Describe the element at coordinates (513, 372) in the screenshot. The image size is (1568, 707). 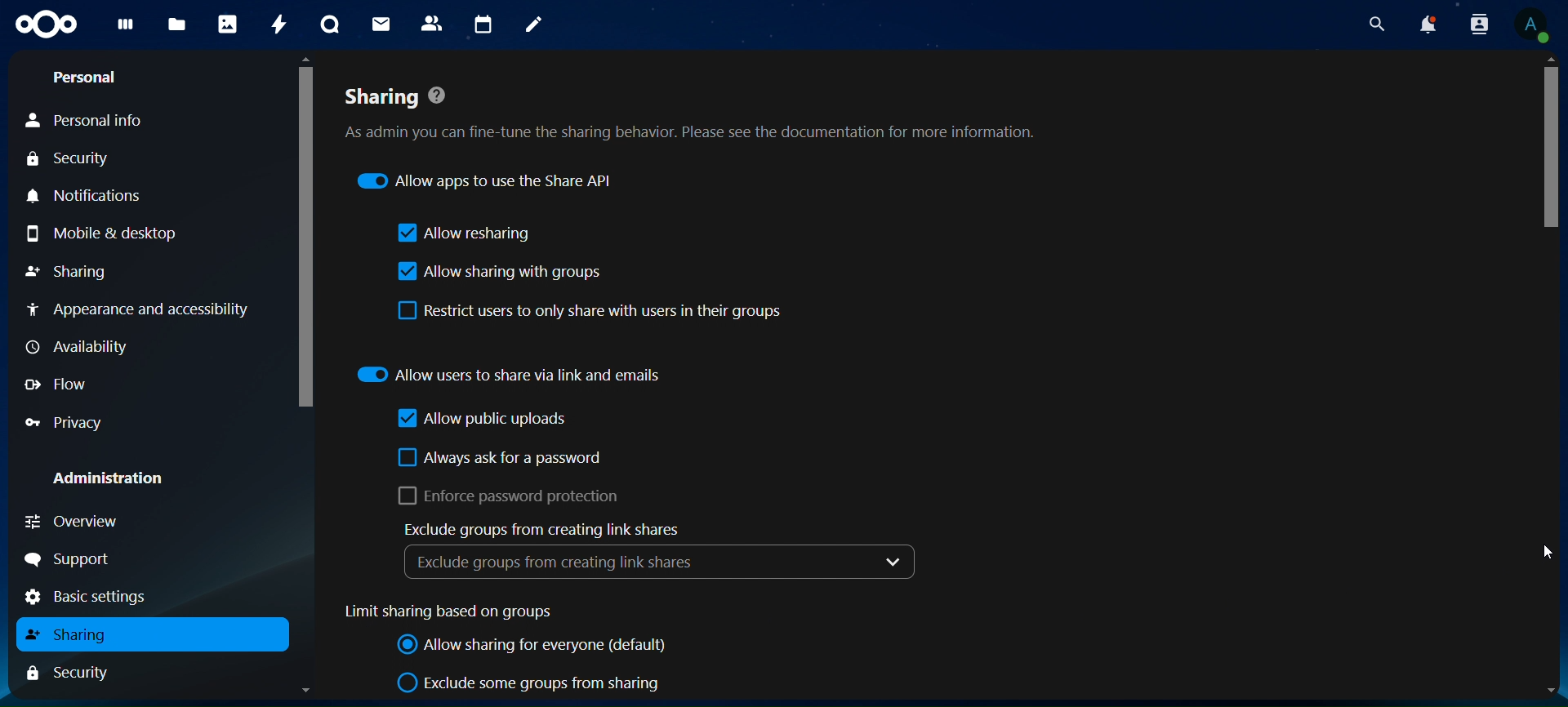
I see `allow users to share via link and emails` at that location.